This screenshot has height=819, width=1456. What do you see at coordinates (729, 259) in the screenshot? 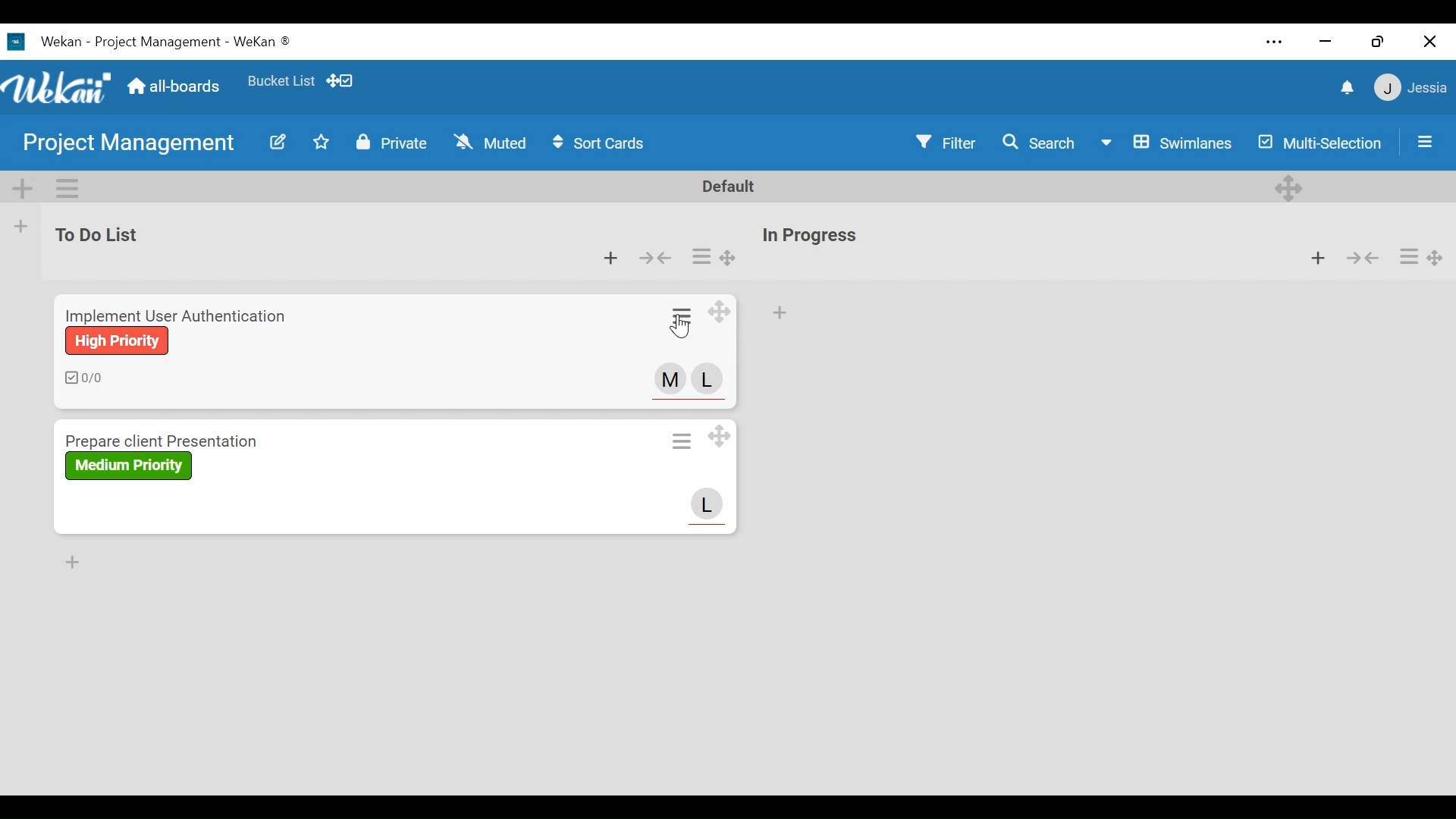
I see `Desktop drag handle` at bounding box center [729, 259].